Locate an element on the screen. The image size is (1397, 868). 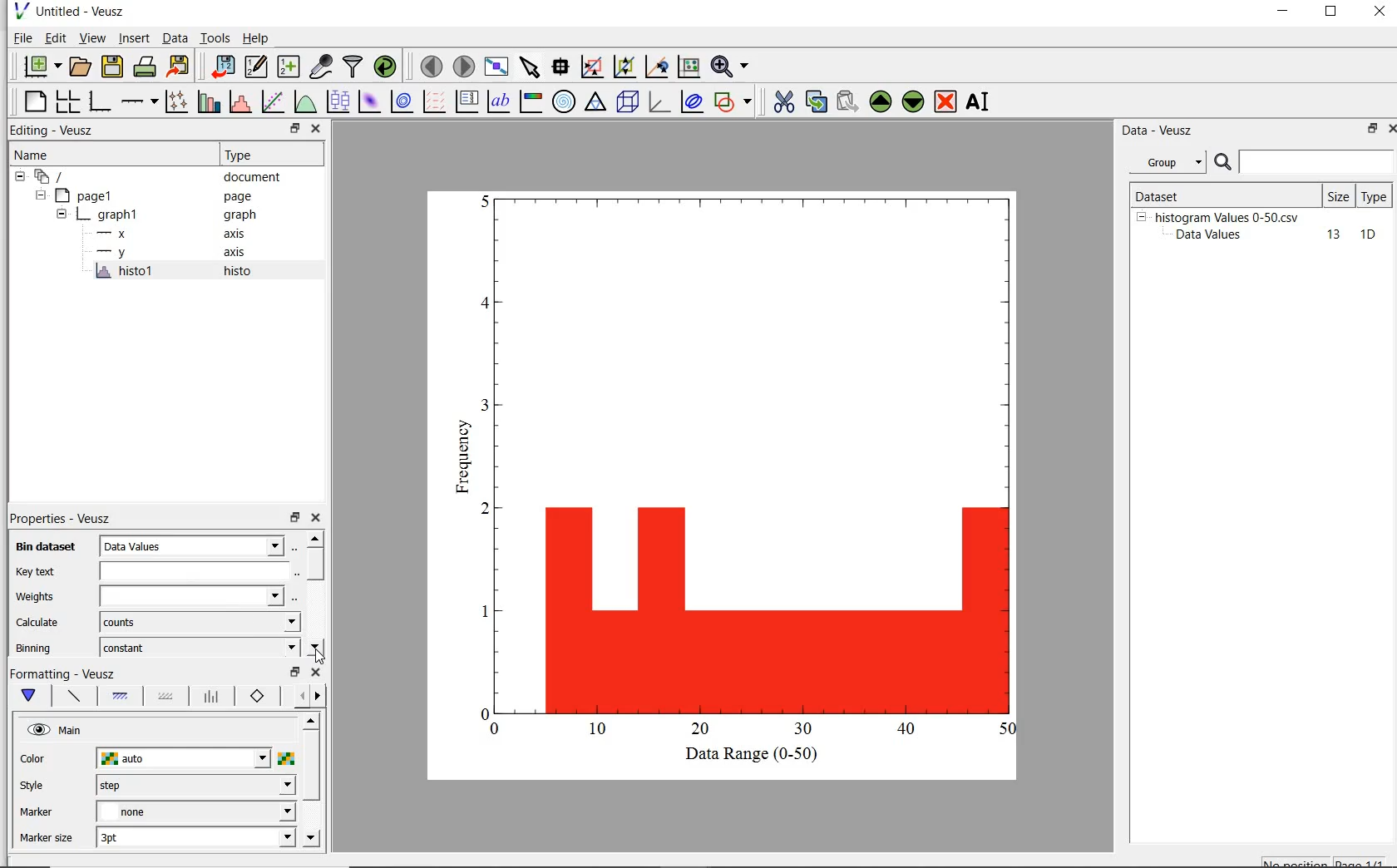
Binning is located at coordinates (35, 648).